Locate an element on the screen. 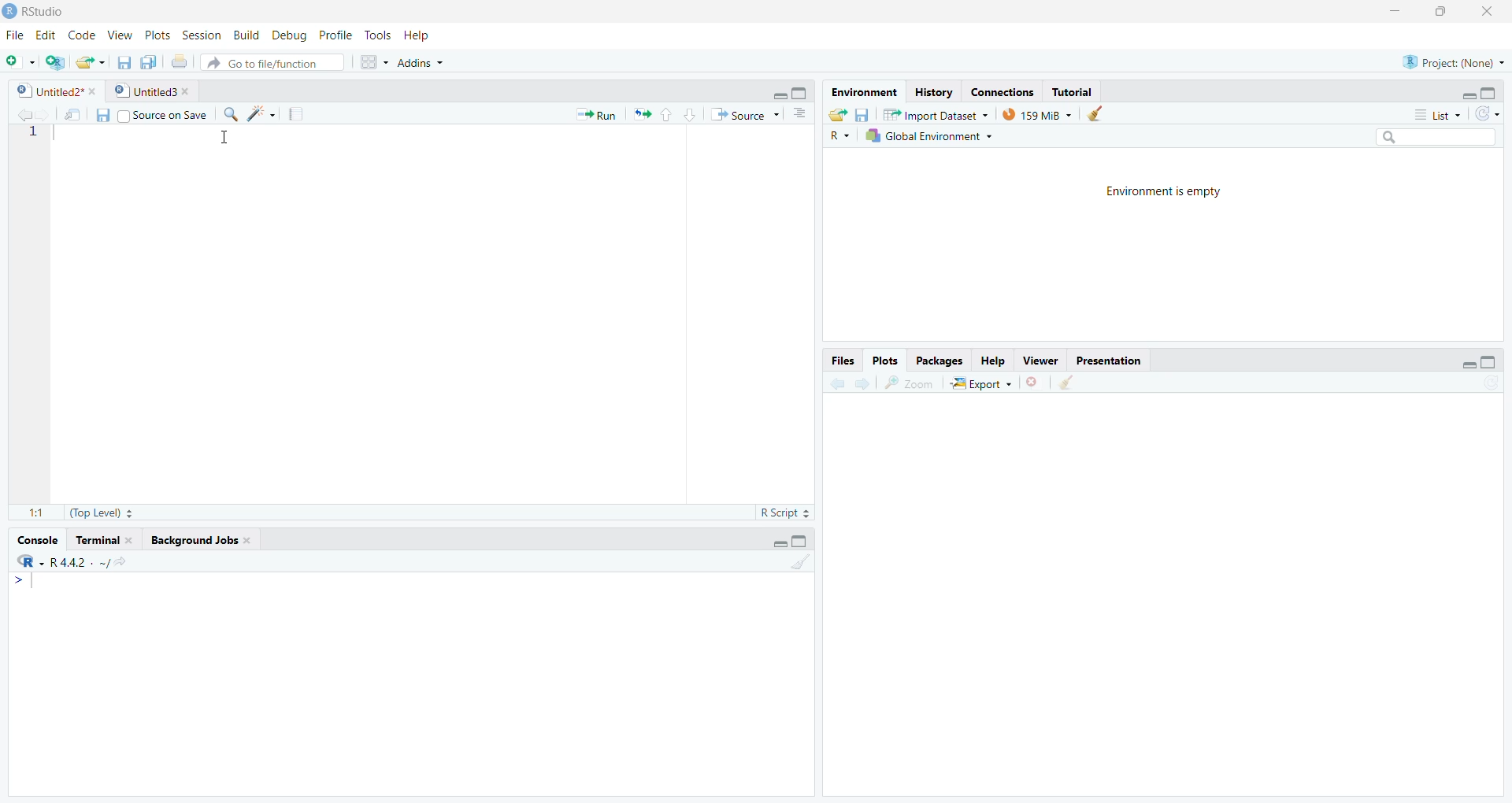 The height and width of the screenshot is (803, 1512). Minimize is located at coordinates (778, 542).